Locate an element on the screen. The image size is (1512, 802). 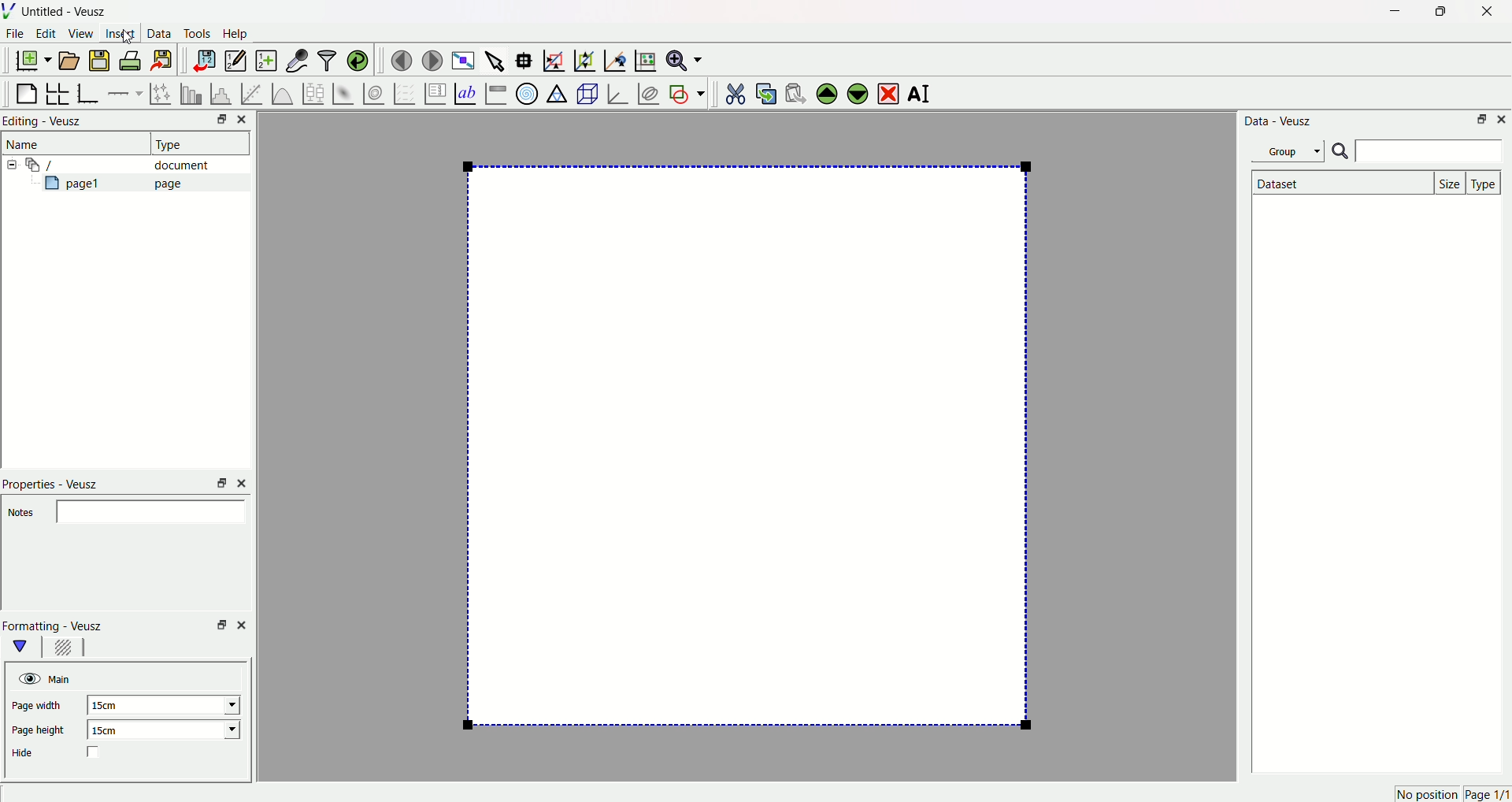
Tools is located at coordinates (198, 35).